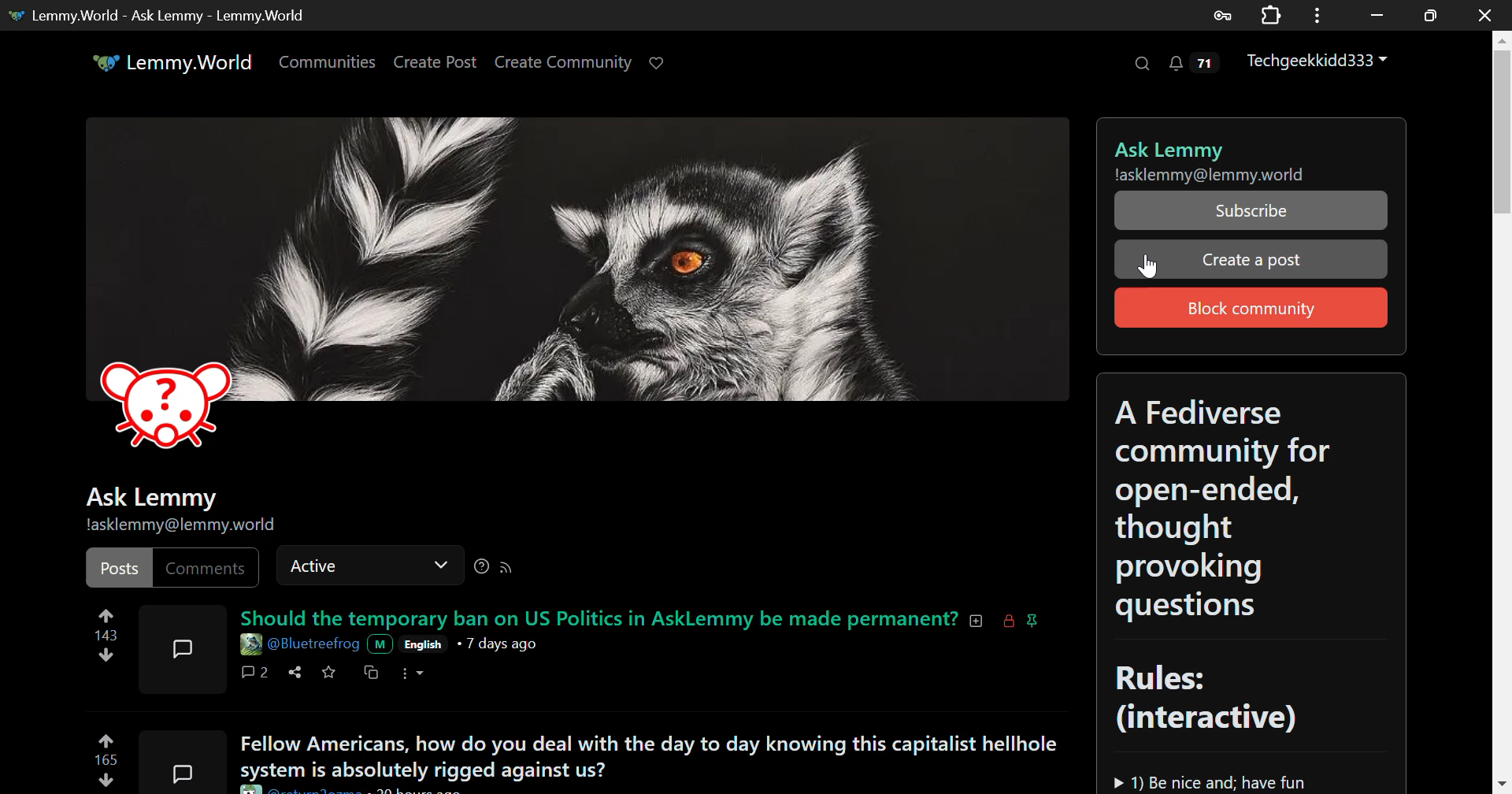 The height and width of the screenshot is (794, 1512). Describe the element at coordinates (1271, 13) in the screenshot. I see `Extensions` at that location.